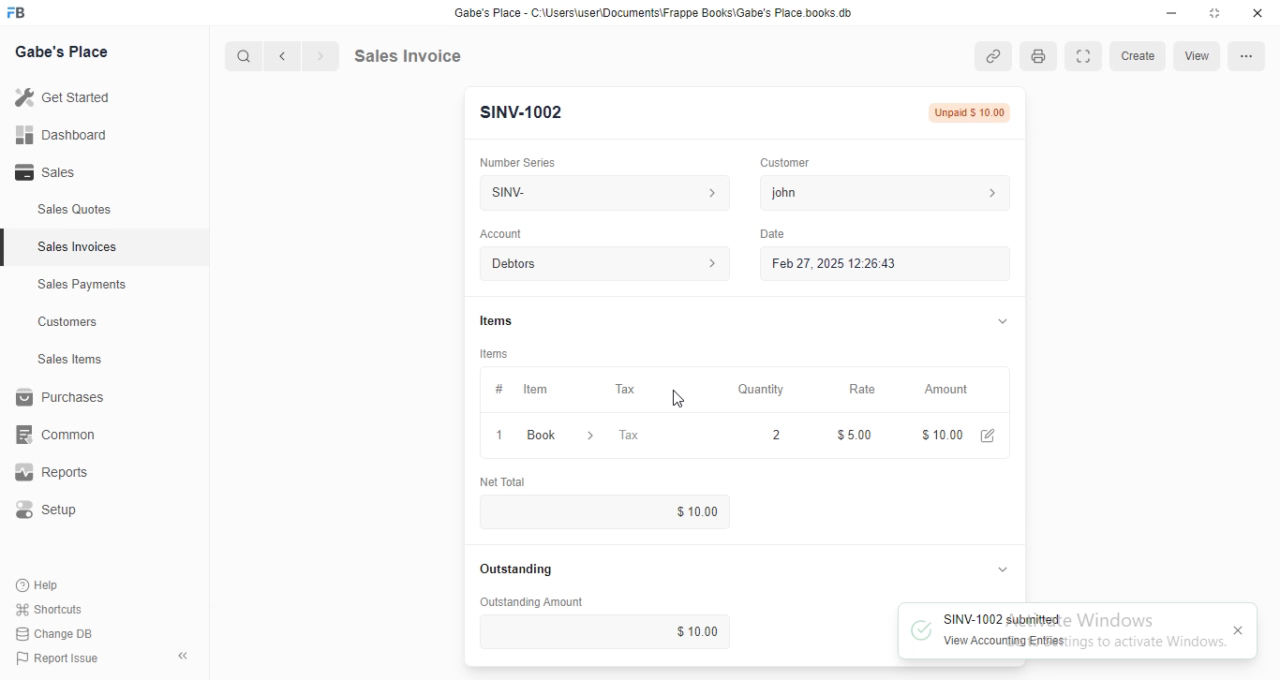 The image size is (1280, 680). What do you see at coordinates (1039, 56) in the screenshot?
I see `Print` at bounding box center [1039, 56].